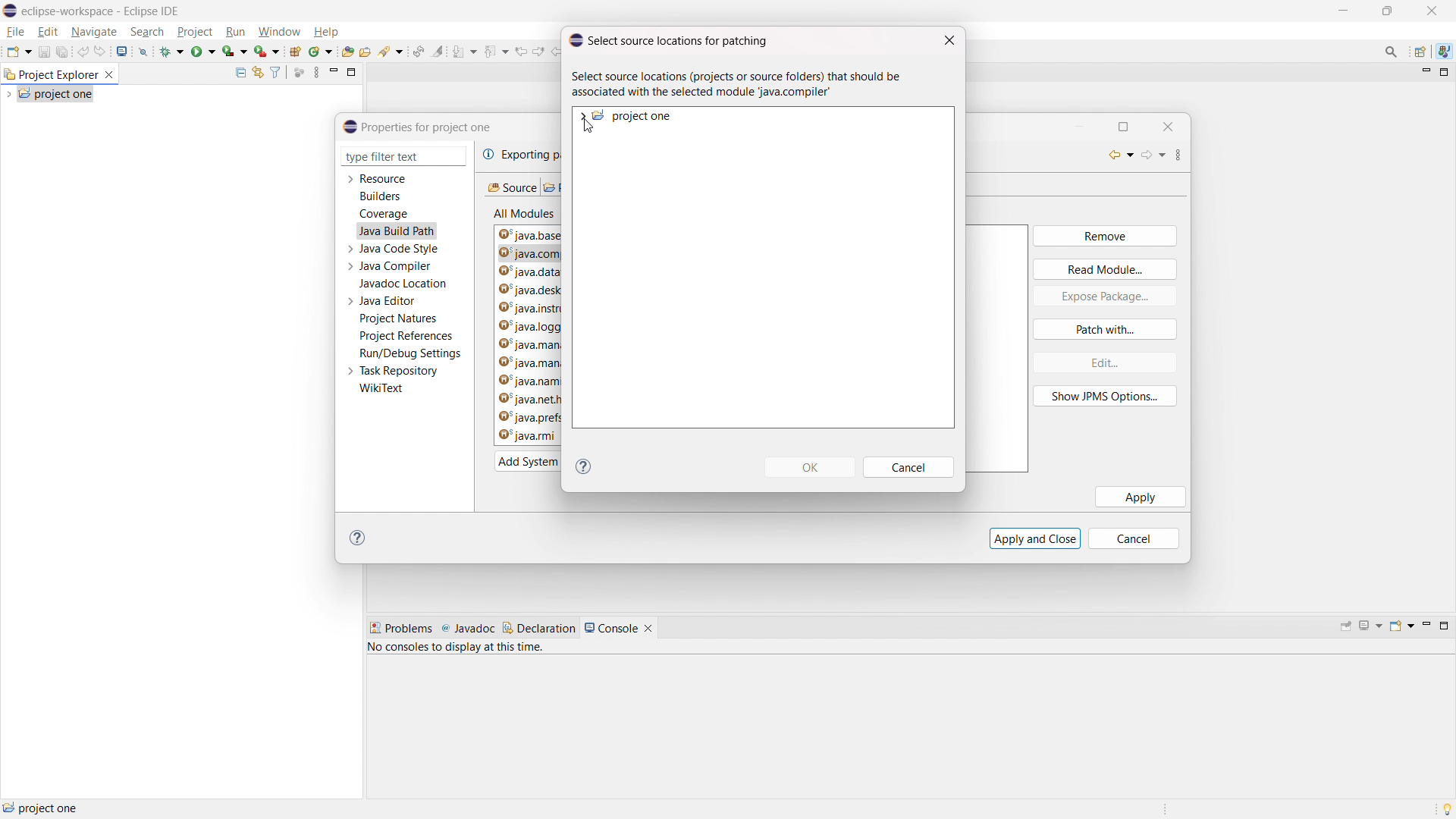  I want to click on task repository, so click(400, 371).